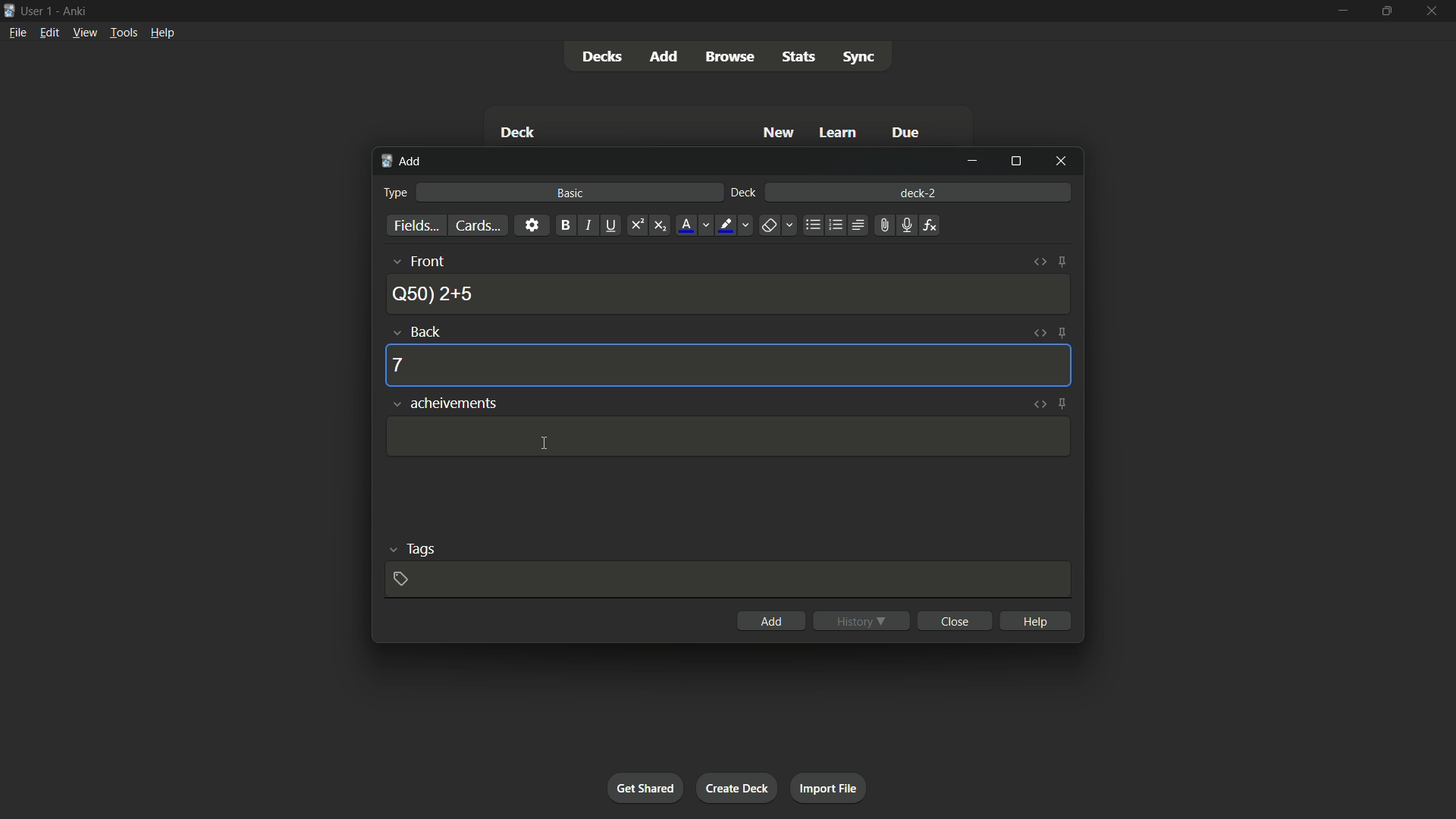 The image size is (1456, 819). I want to click on 7, so click(399, 365).